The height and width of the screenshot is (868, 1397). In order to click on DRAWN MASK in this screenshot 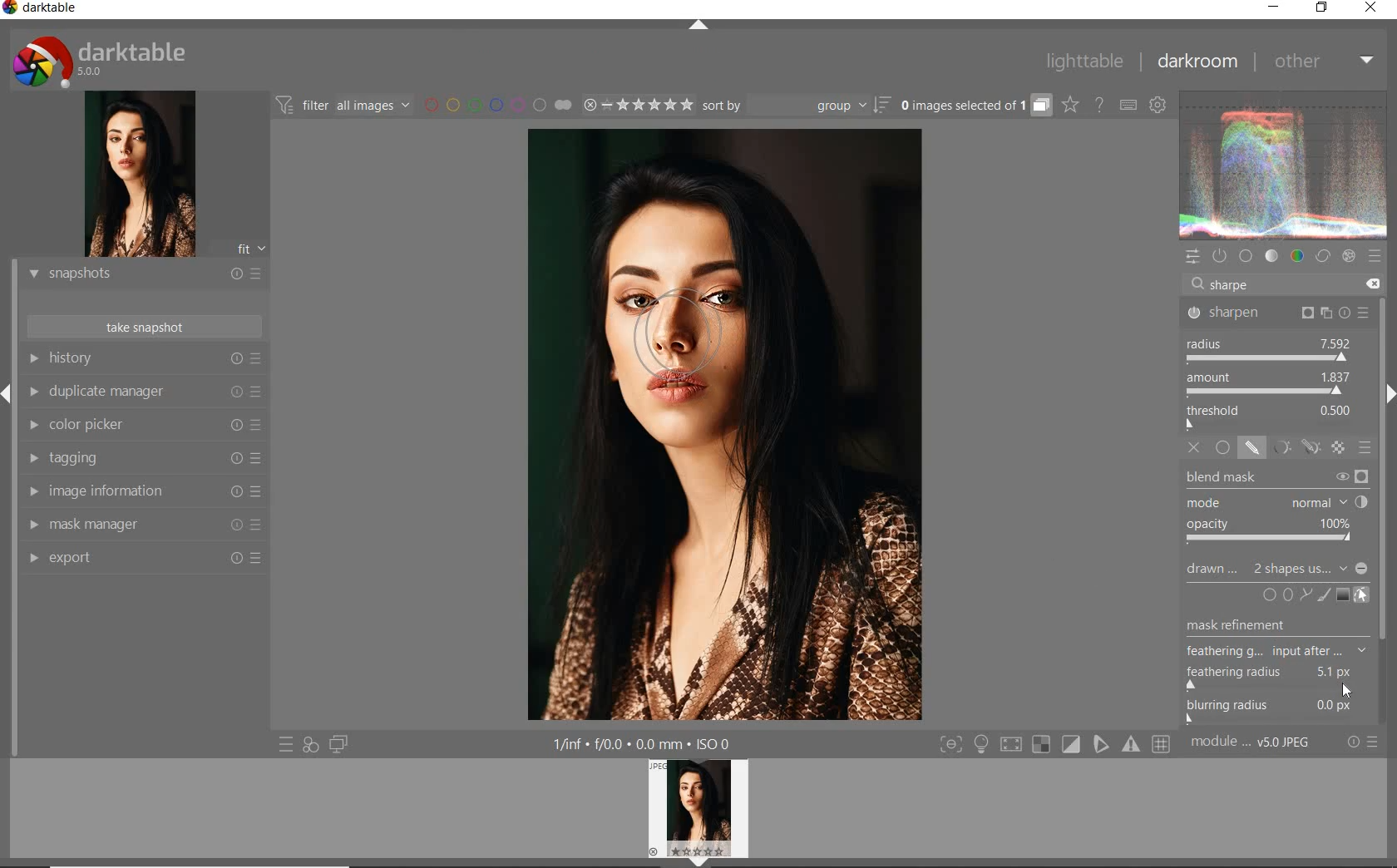, I will do `click(1279, 570)`.